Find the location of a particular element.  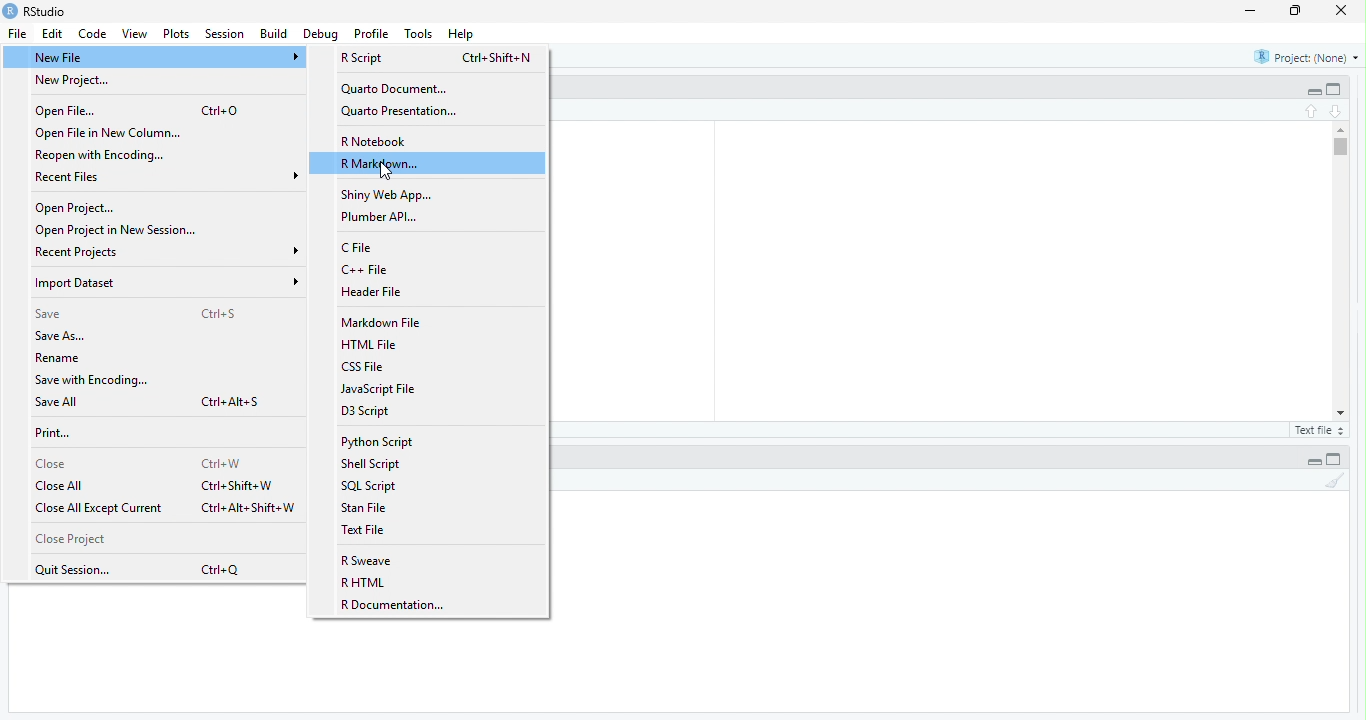

Help is located at coordinates (462, 34).